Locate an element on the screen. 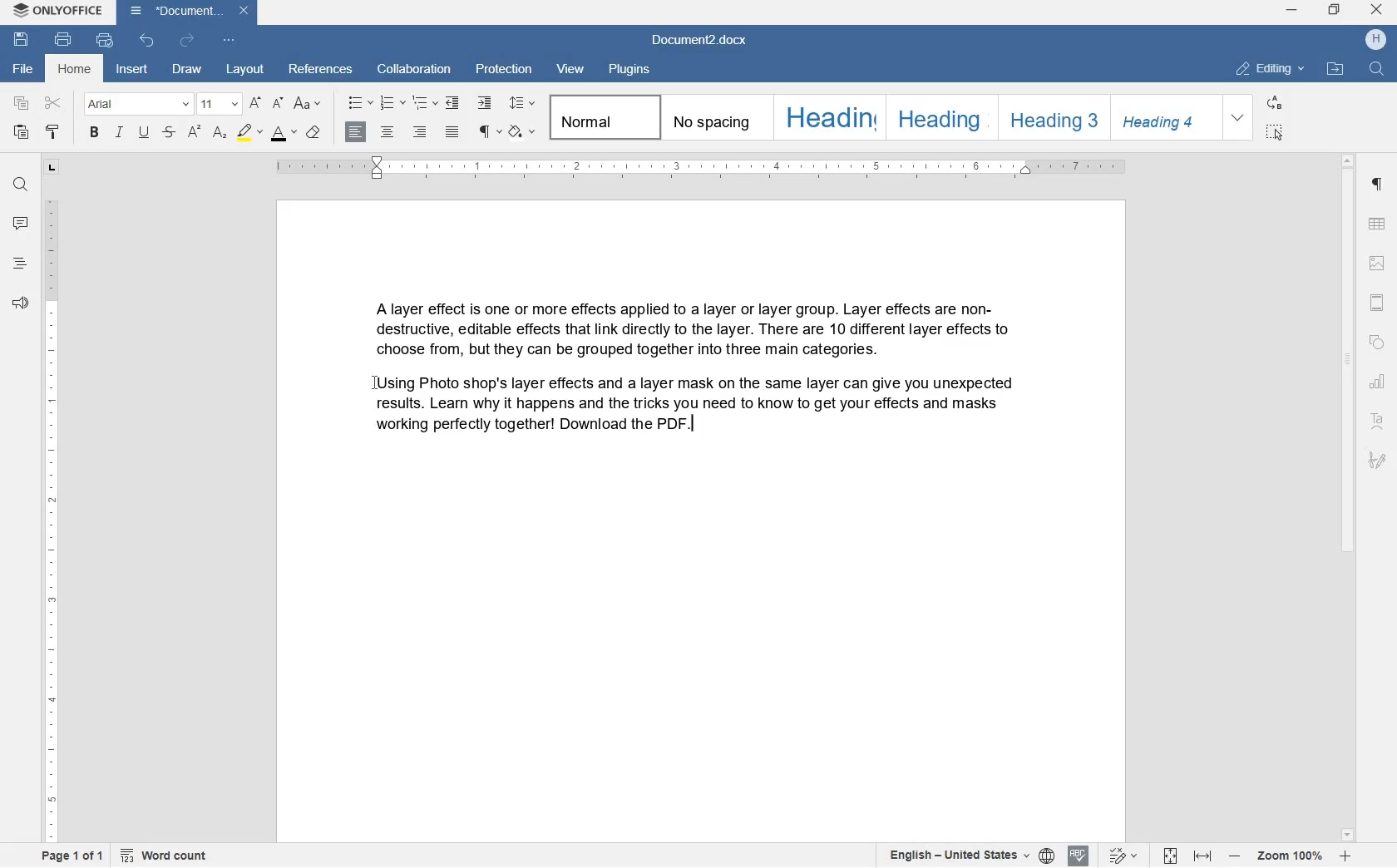  COPY is located at coordinates (21, 104).